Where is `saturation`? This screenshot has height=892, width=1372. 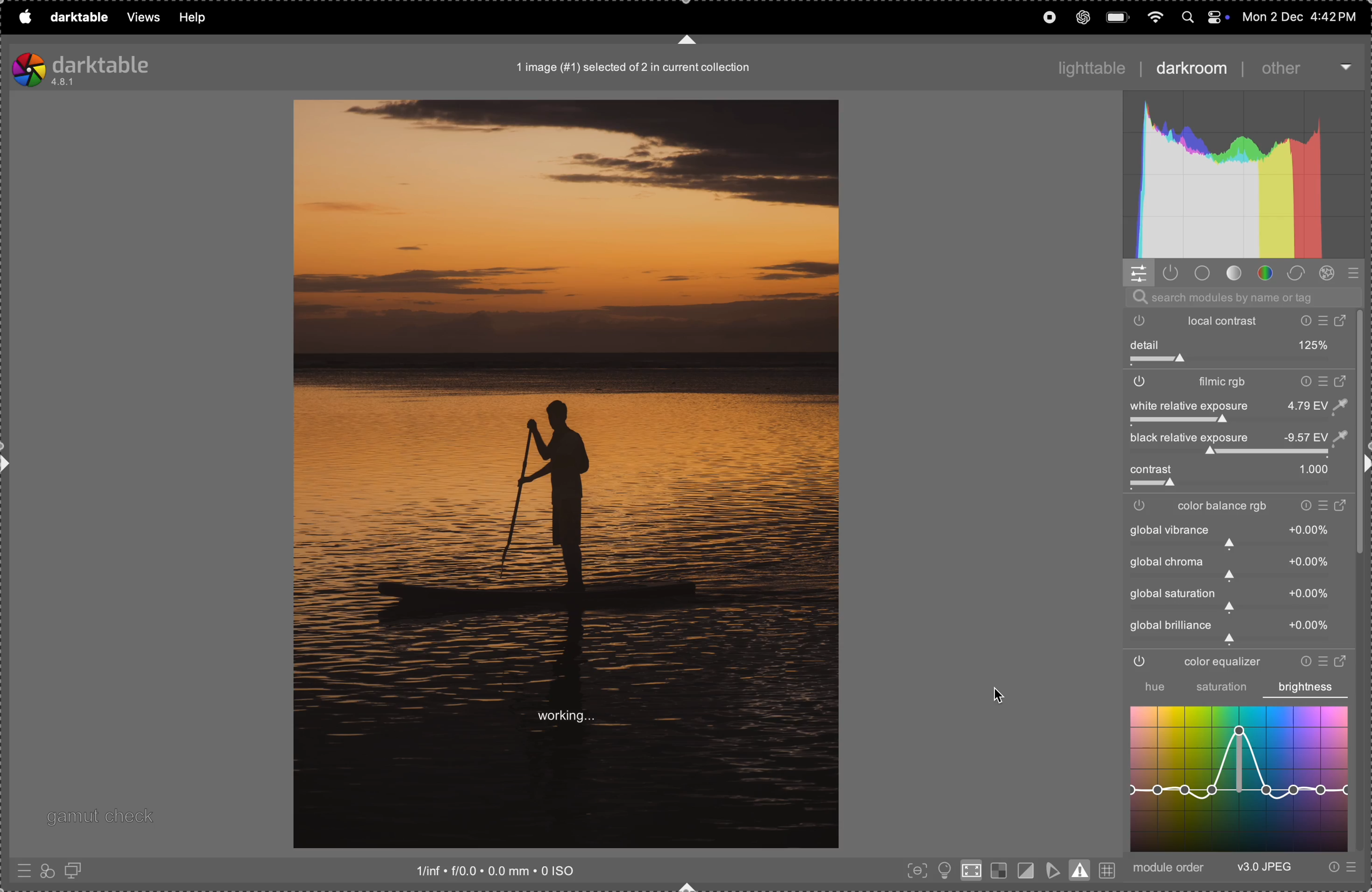 saturation is located at coordinates (1222, 689).